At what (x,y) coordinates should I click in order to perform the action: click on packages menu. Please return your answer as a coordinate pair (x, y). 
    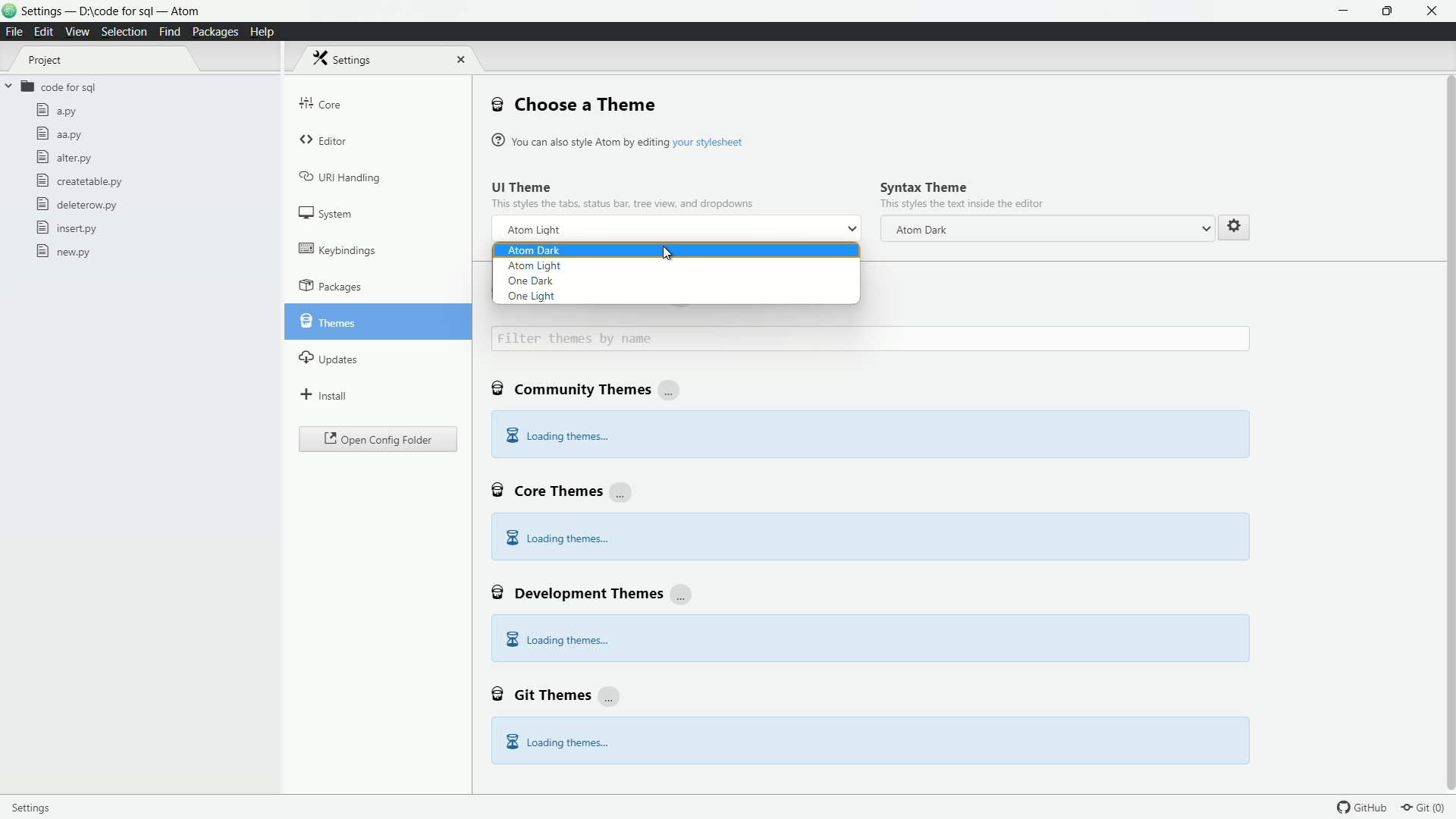
    Looking at the image, I should click on (217, 33).